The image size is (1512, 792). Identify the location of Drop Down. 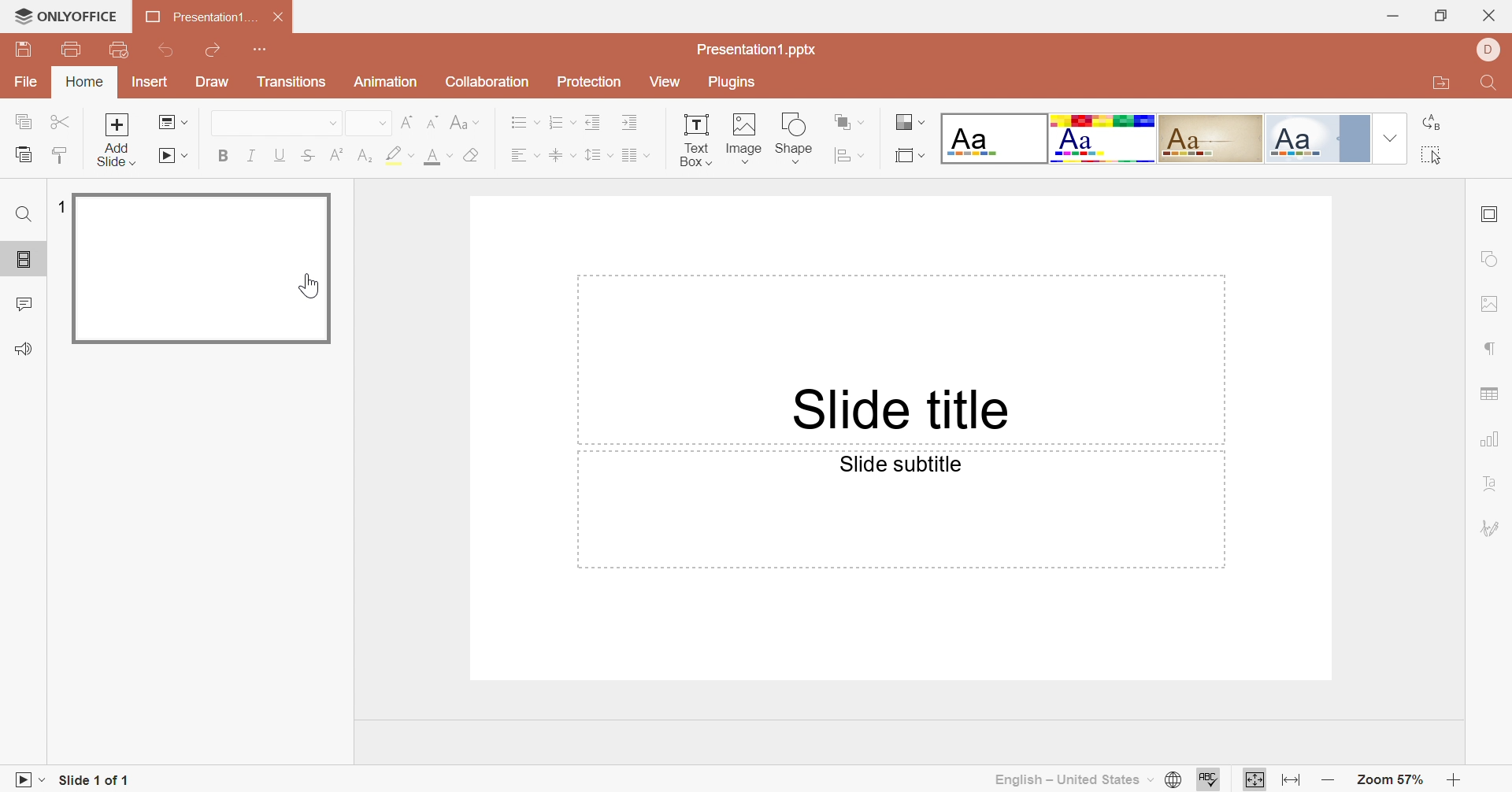
(539, 155).